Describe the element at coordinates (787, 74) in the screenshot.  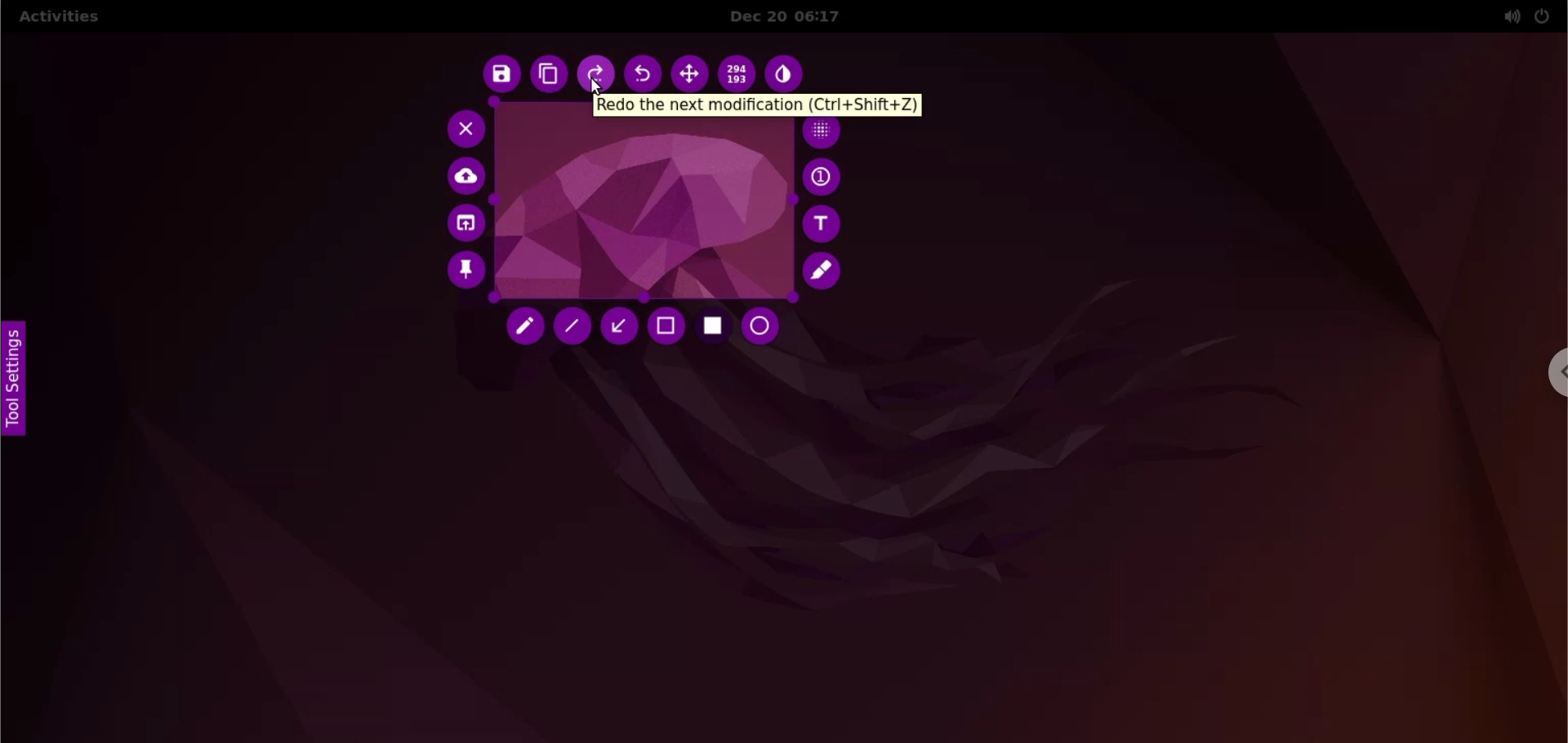
I see `inverter tool` at that location.